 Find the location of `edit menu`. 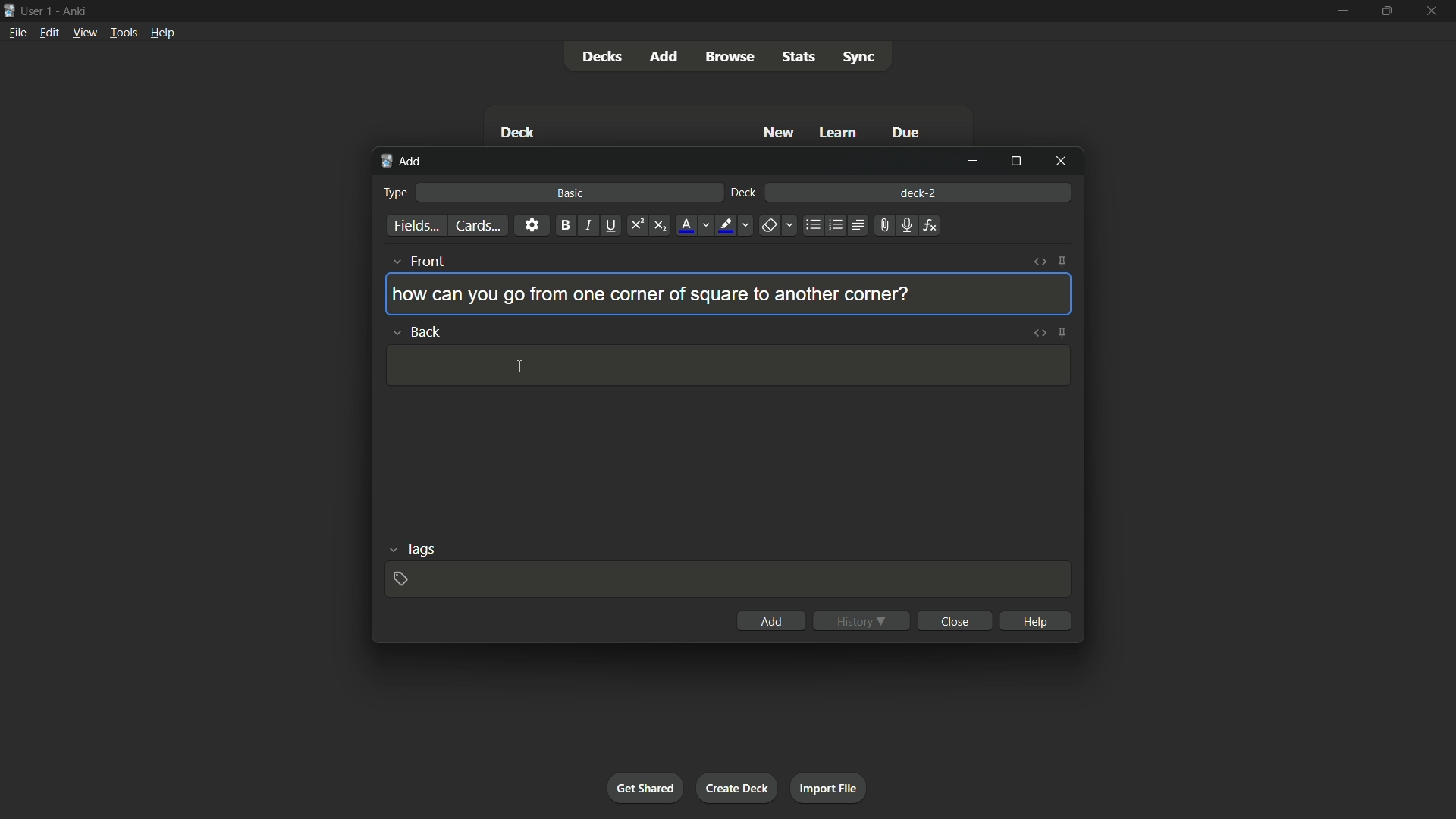

edit menu is located at coordinates (47, 32).